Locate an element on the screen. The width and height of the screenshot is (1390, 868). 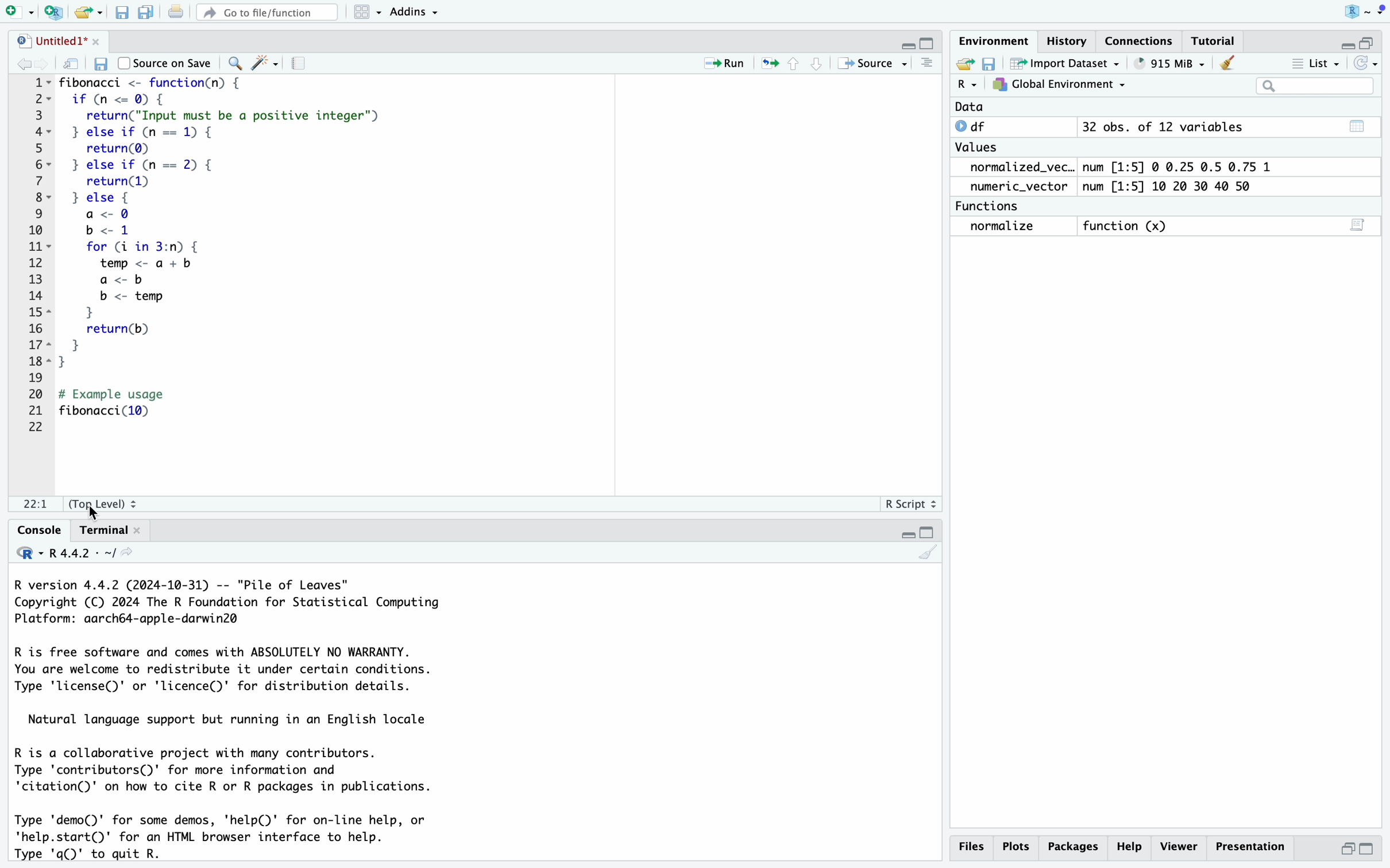
code tools is located at coordinates (265, 61).